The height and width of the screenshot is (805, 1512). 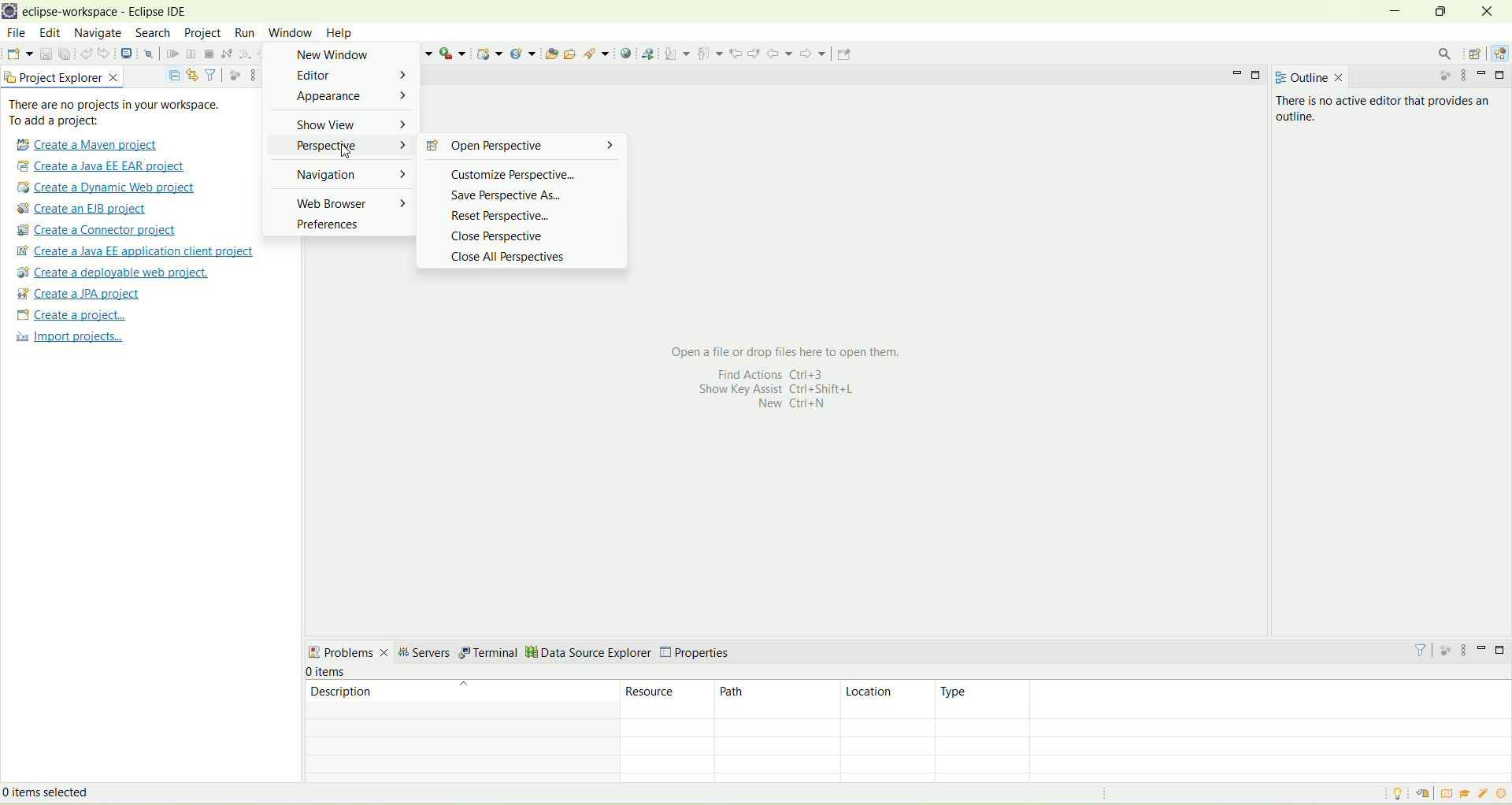 I want to click on navigate, so click(x=98, y=35).